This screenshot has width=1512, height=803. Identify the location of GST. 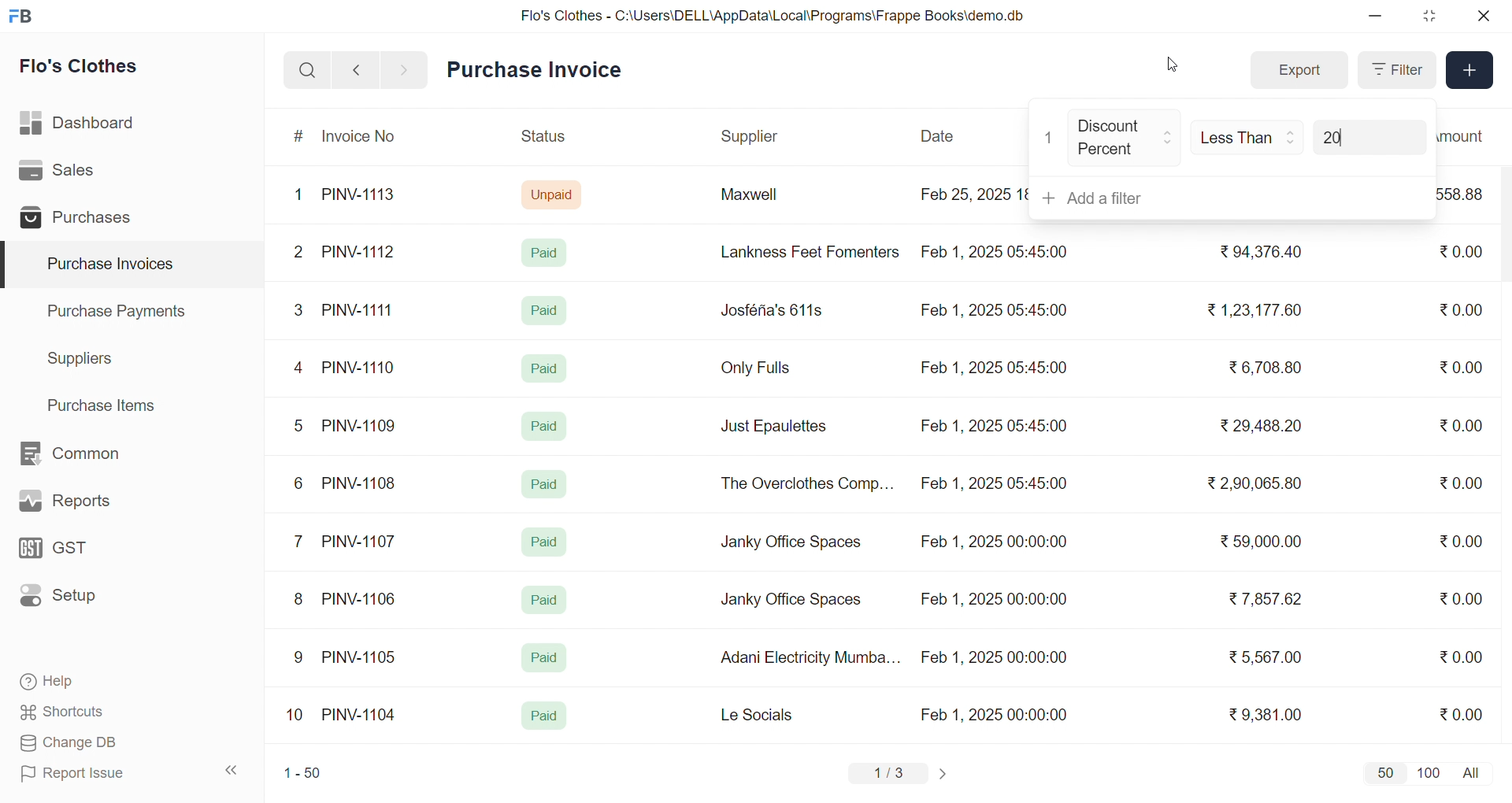
(82, 553).